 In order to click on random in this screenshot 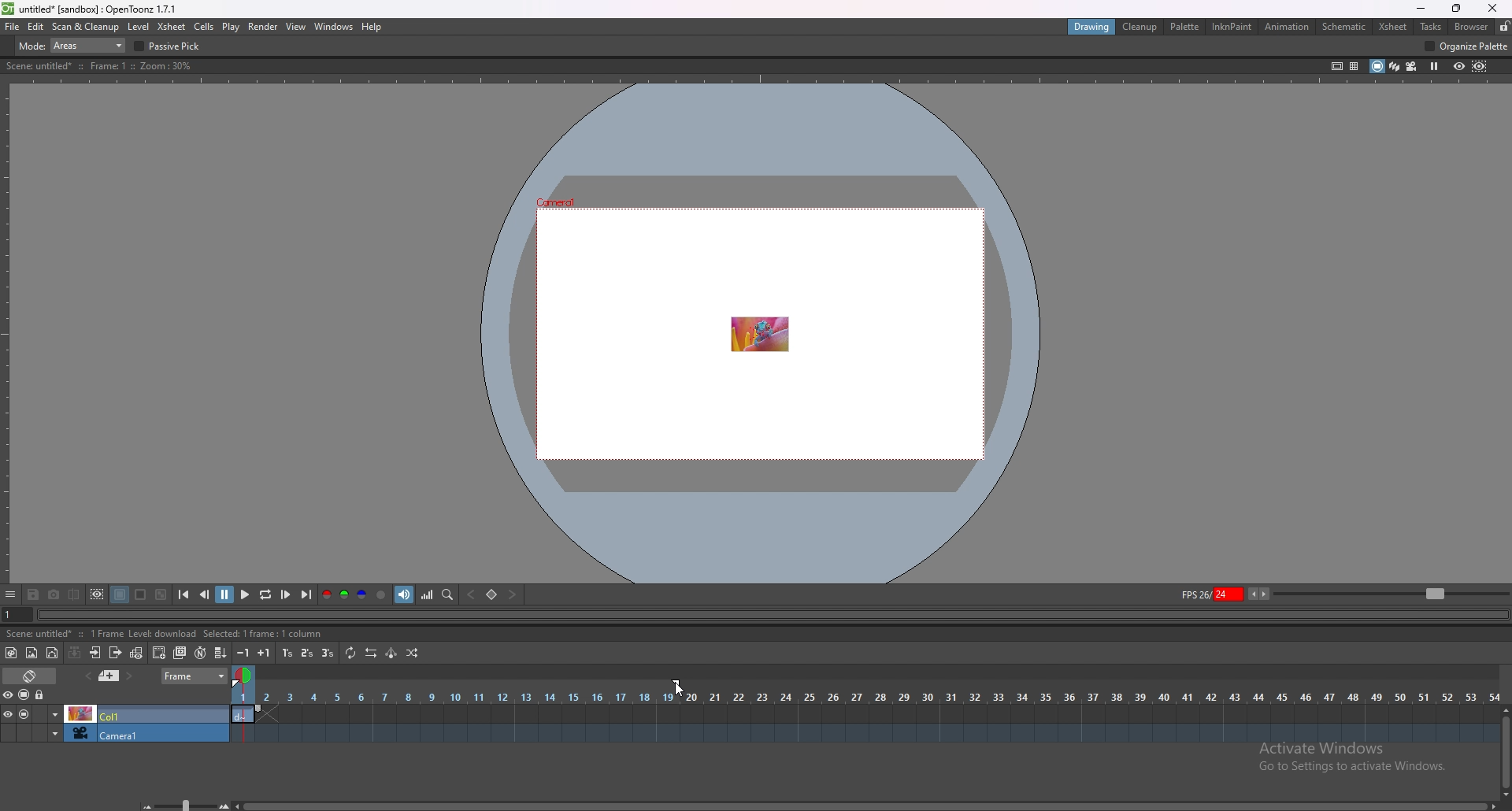, I will do `click(412, 654)`.